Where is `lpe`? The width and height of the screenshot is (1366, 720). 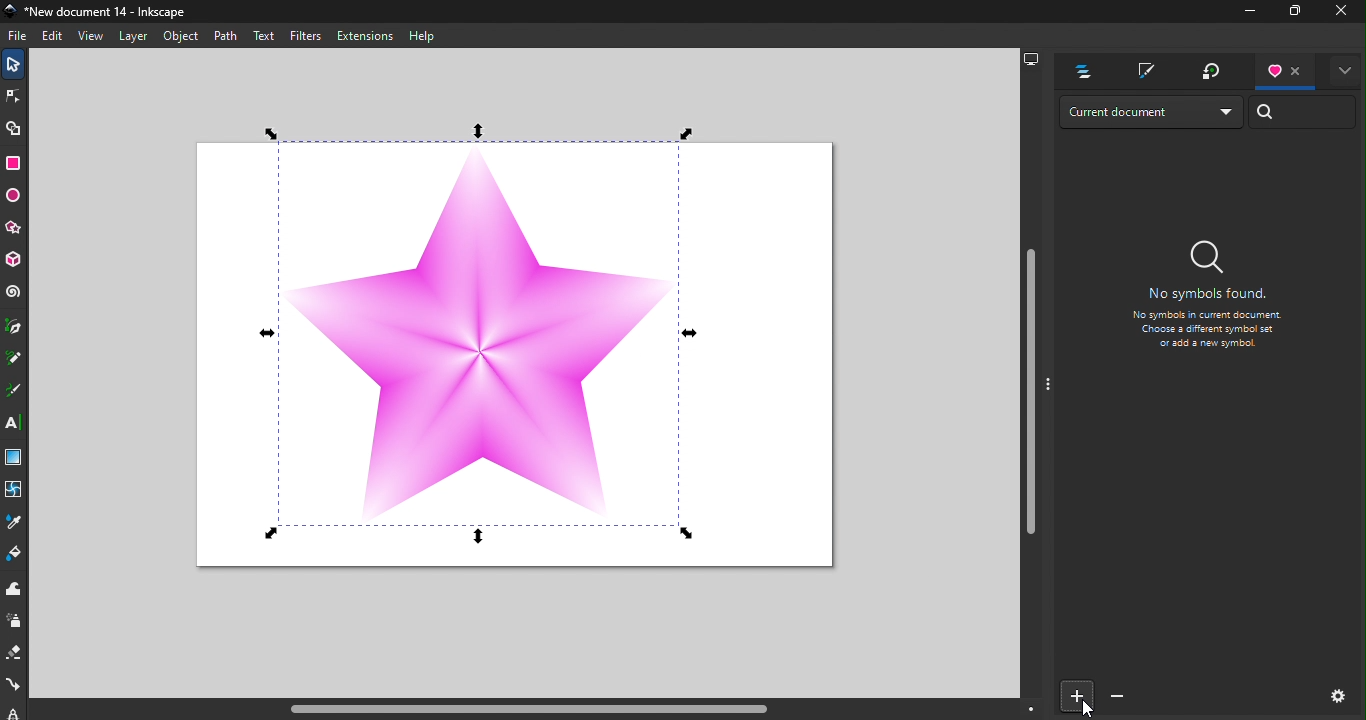 lpe is located at coordinates (10, 712).